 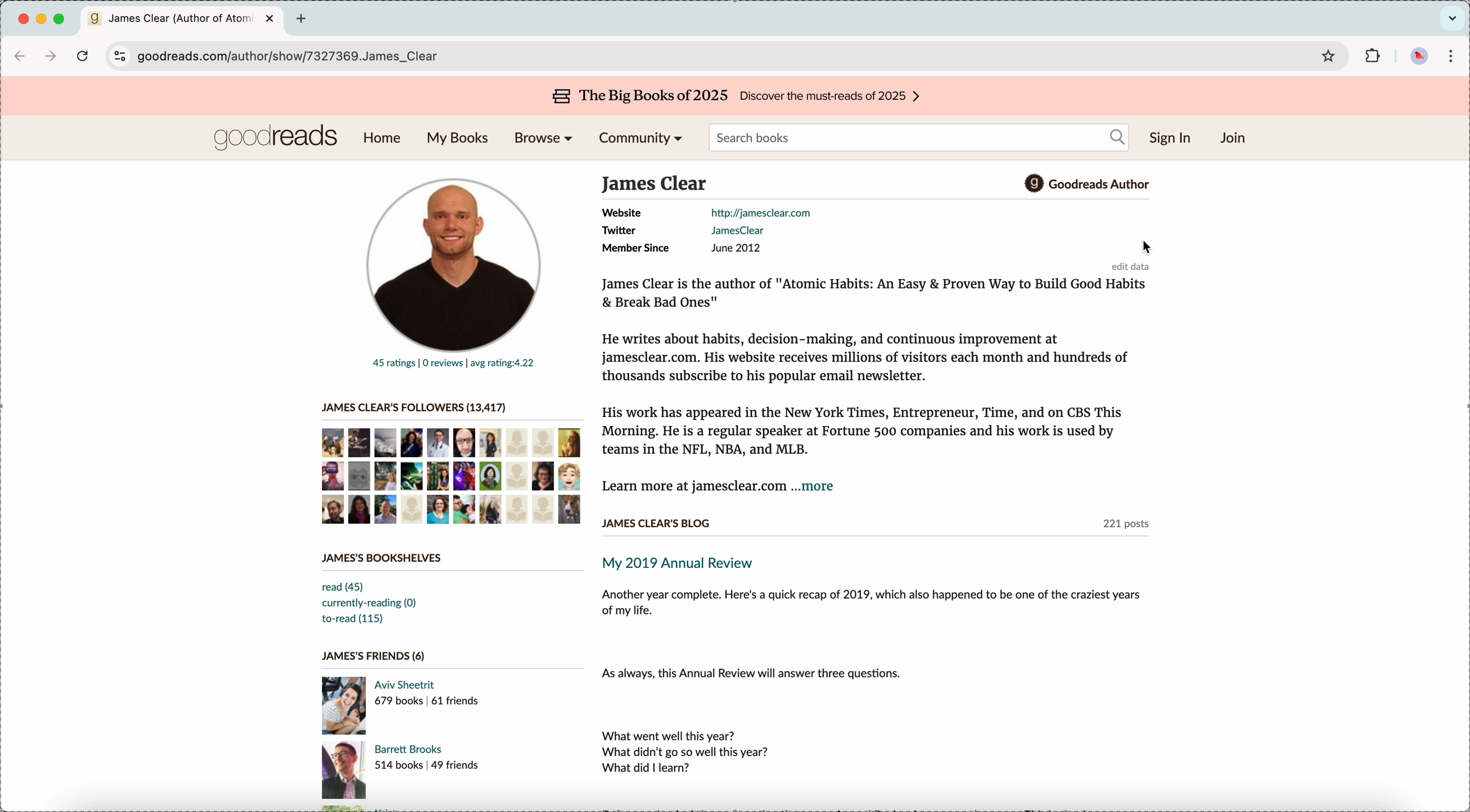 What do you see at coordinates (23, 21) in the screenshot?
I see `close Chrome` at bounding box center [23, 21].